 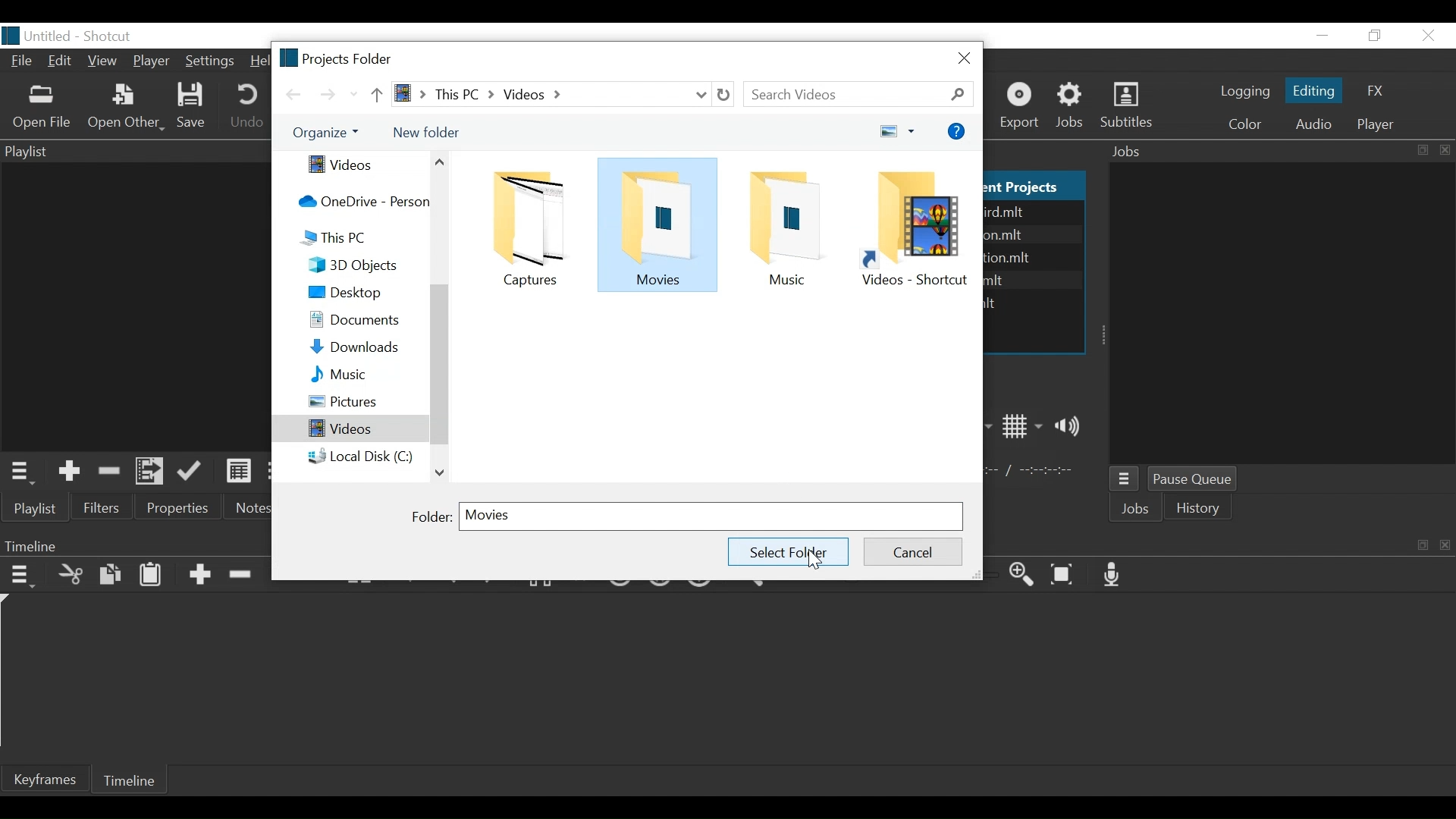 What do you see at coordinates (108, 470) in the screenshot?
I see `Remove cut` at bounding box center [108, 470].